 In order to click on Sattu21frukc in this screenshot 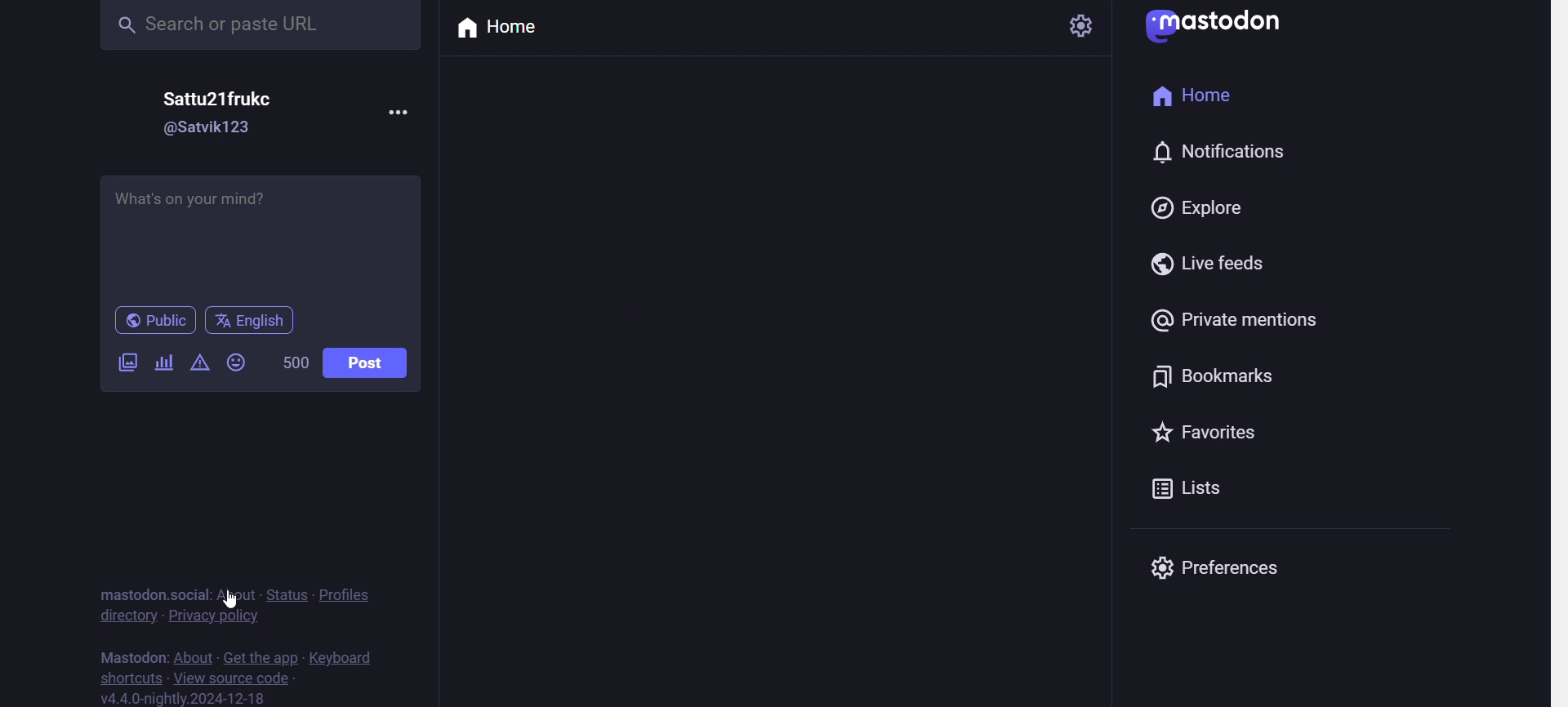, I will do `click(220, 102)`.